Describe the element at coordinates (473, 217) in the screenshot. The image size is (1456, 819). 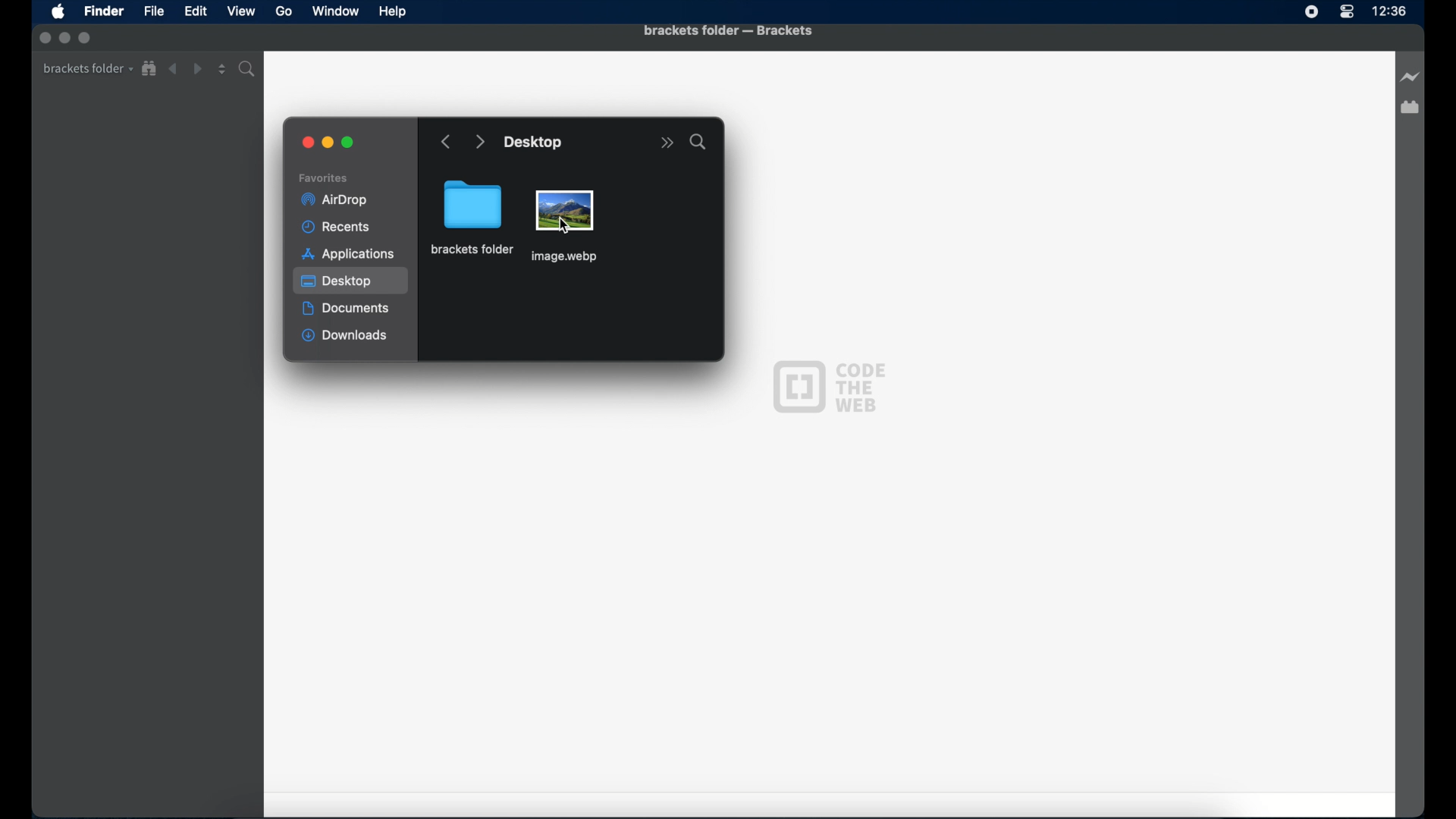
I see `brackets folder` at that location.